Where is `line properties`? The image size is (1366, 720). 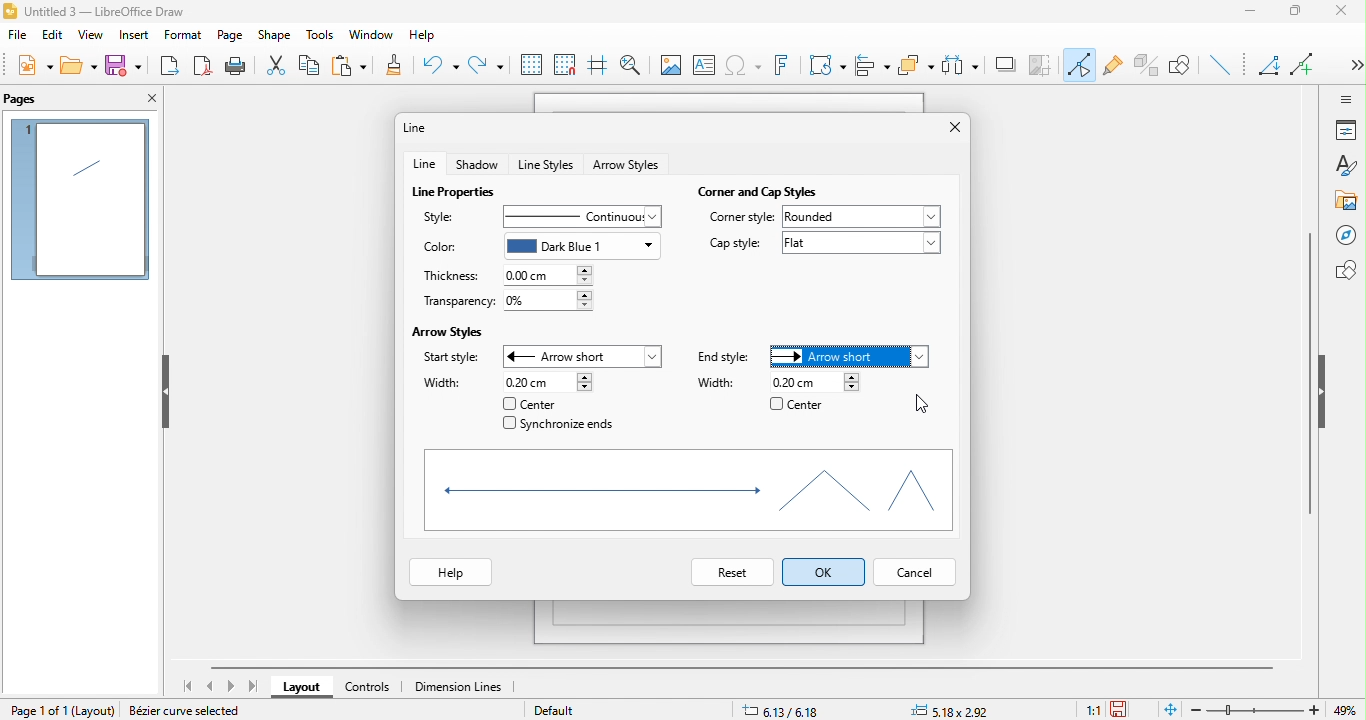 line properties is located at coordinates (457, 190).